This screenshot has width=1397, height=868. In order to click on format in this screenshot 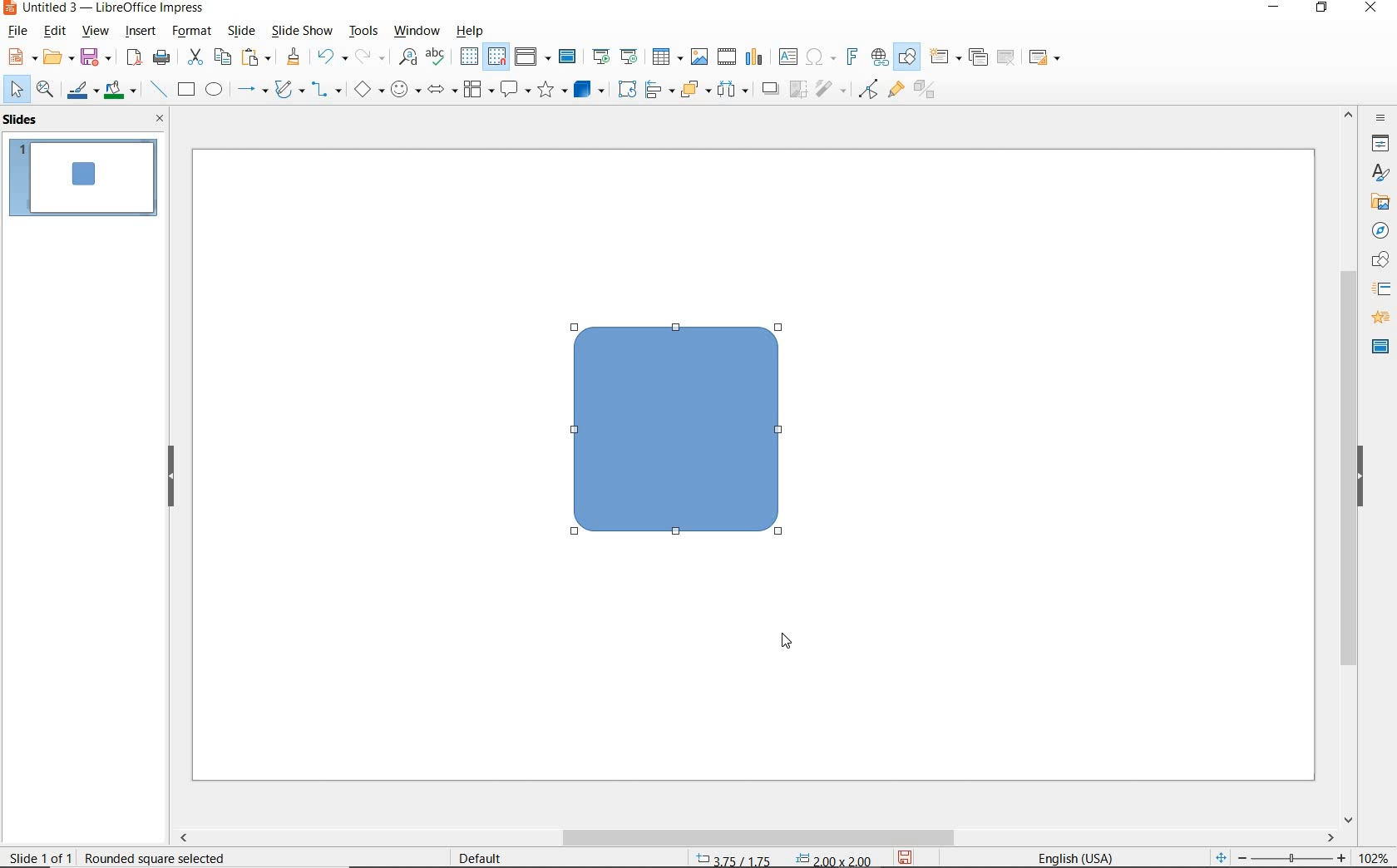, I will do `click(194, 32)`.